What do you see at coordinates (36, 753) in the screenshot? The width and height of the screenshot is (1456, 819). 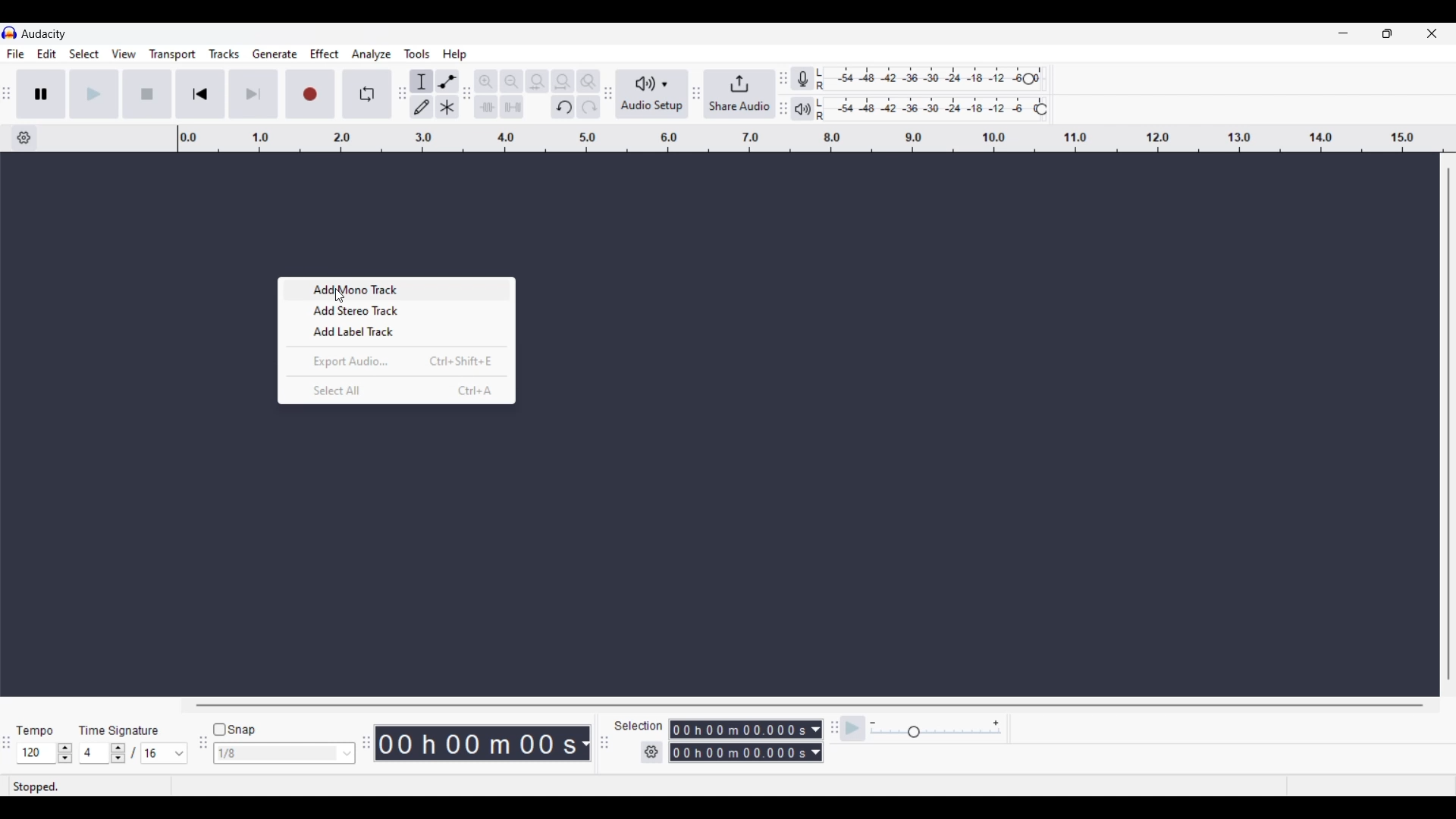 I see `Selected tempo` at bounding box center [36, 753].